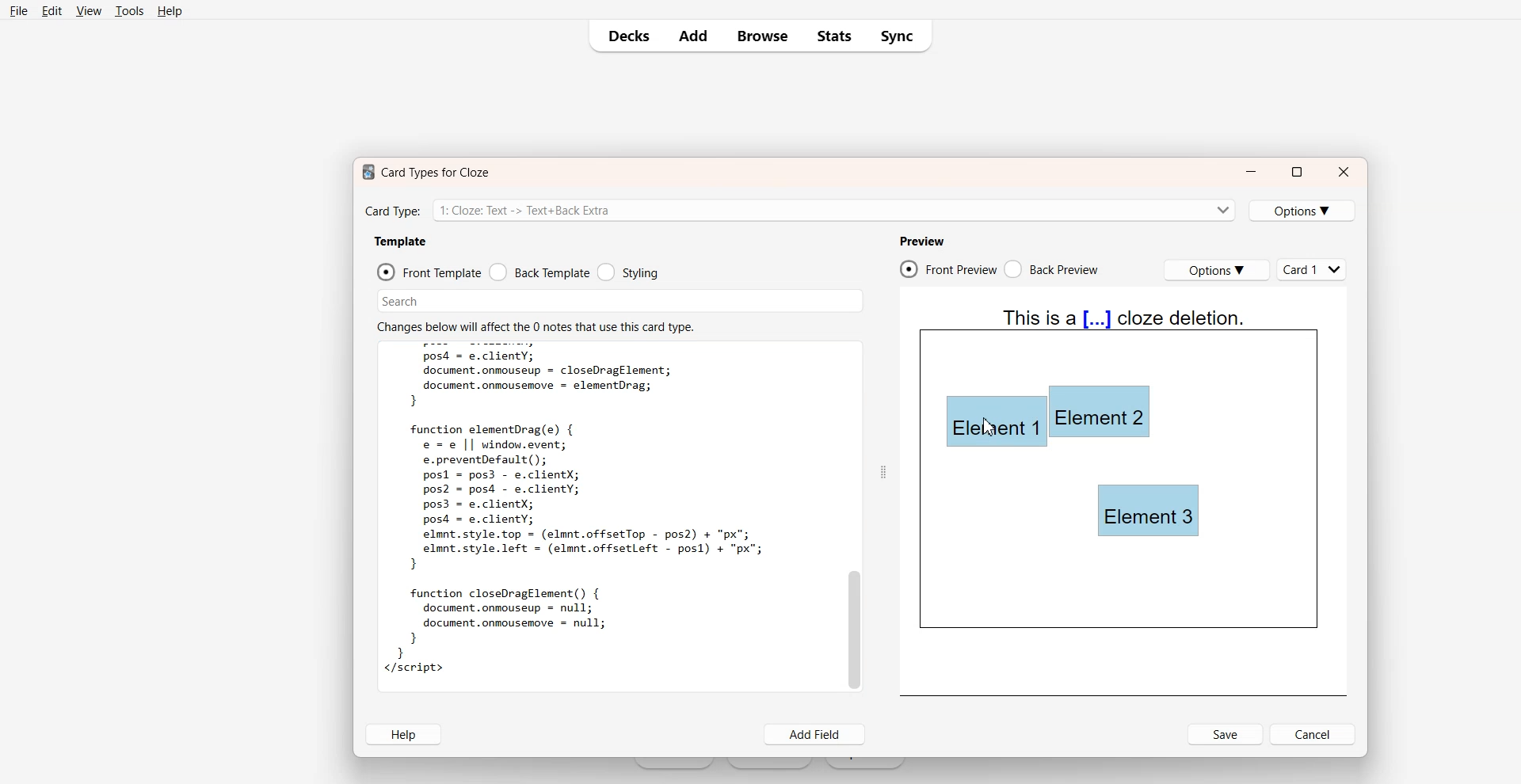 The height and width of the screenshot is (784, 1521). Describe the element at coordinates (400, 242) in the screenshot. I see `Template` at that location.